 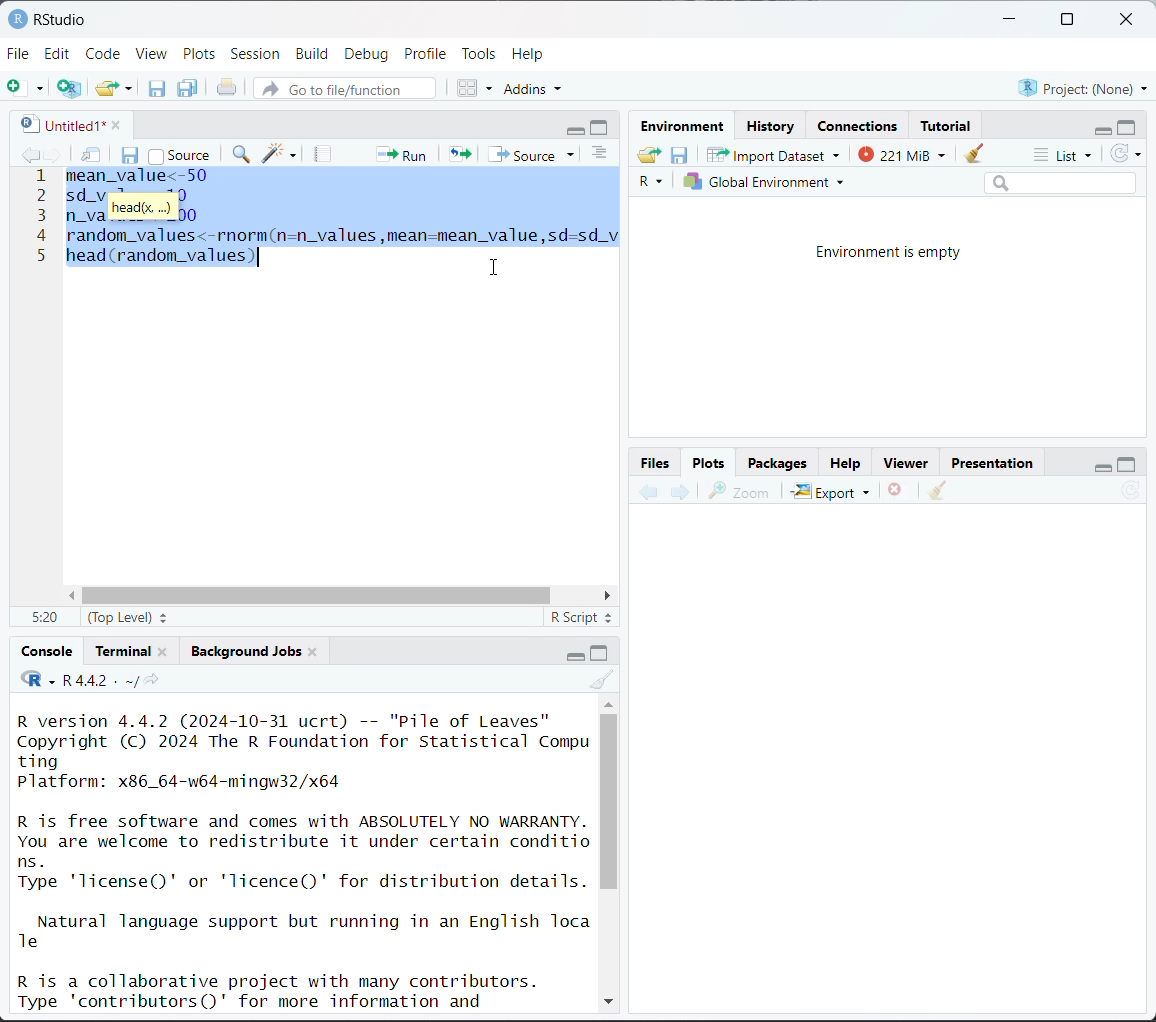 I want to click on View, so click(x=152, y=55).